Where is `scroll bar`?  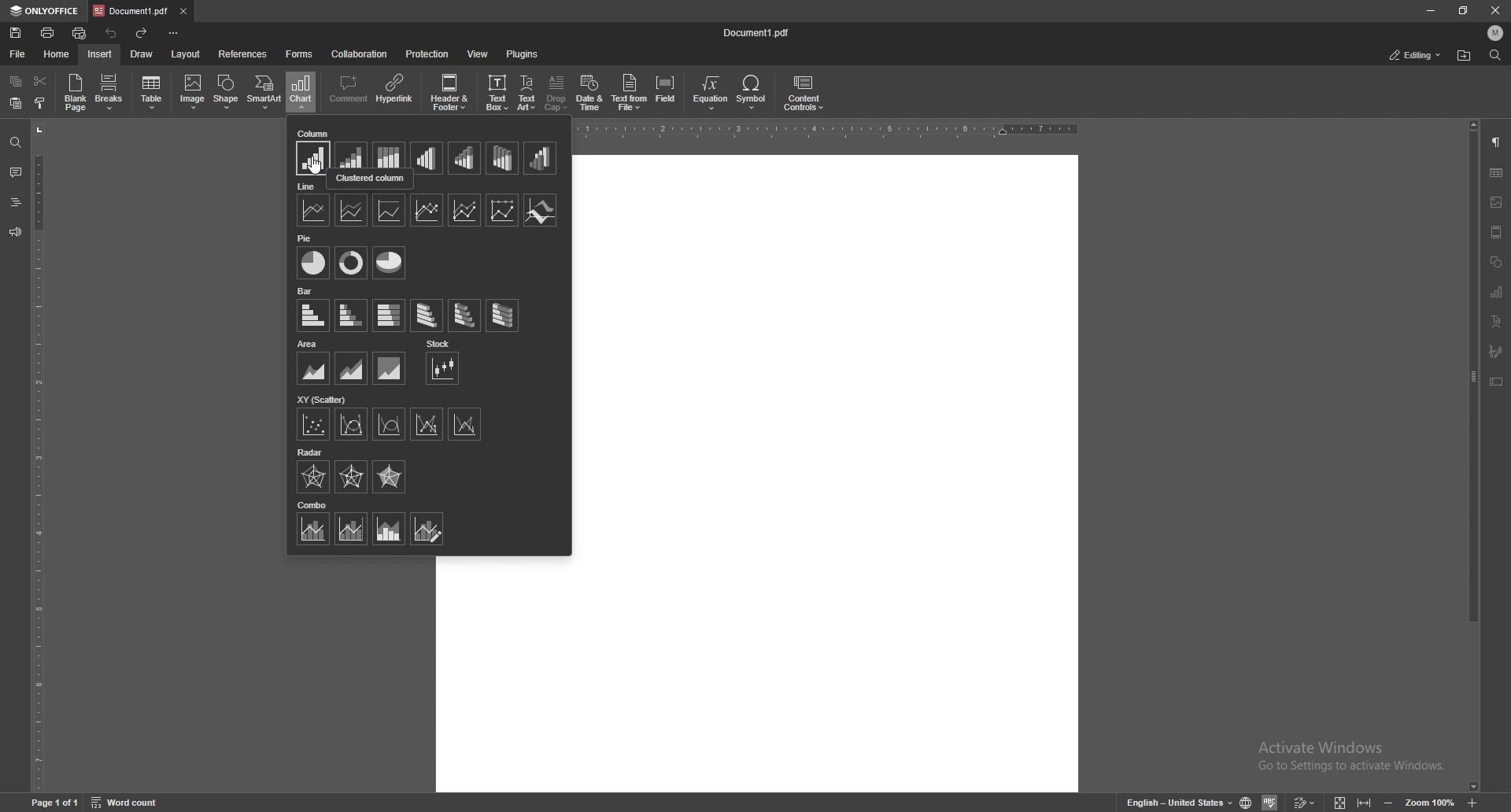
scroll bar is located at coordinates (1474, 457).